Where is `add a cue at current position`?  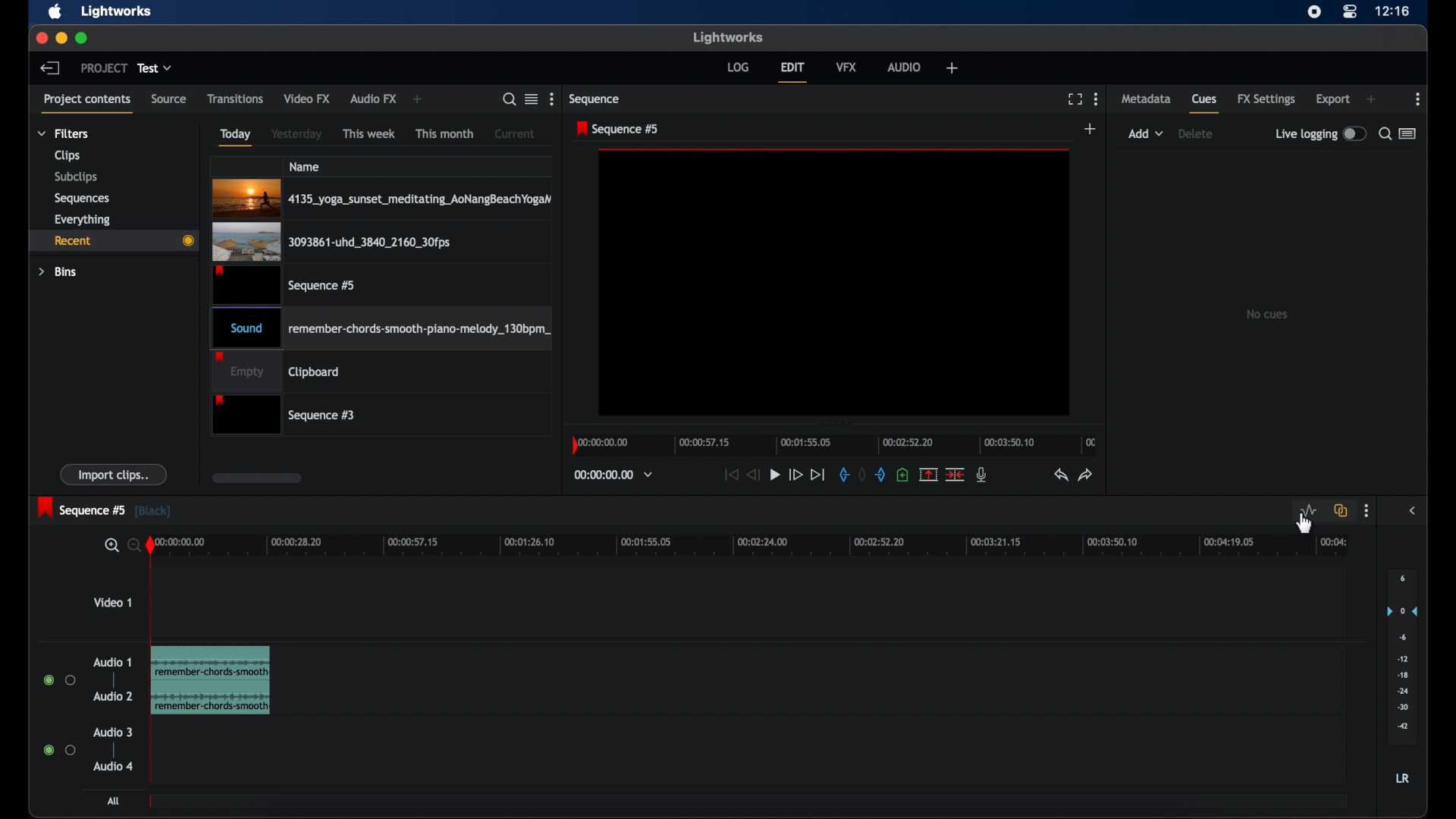
add a cue at current position is located at coordinates (902, 475).